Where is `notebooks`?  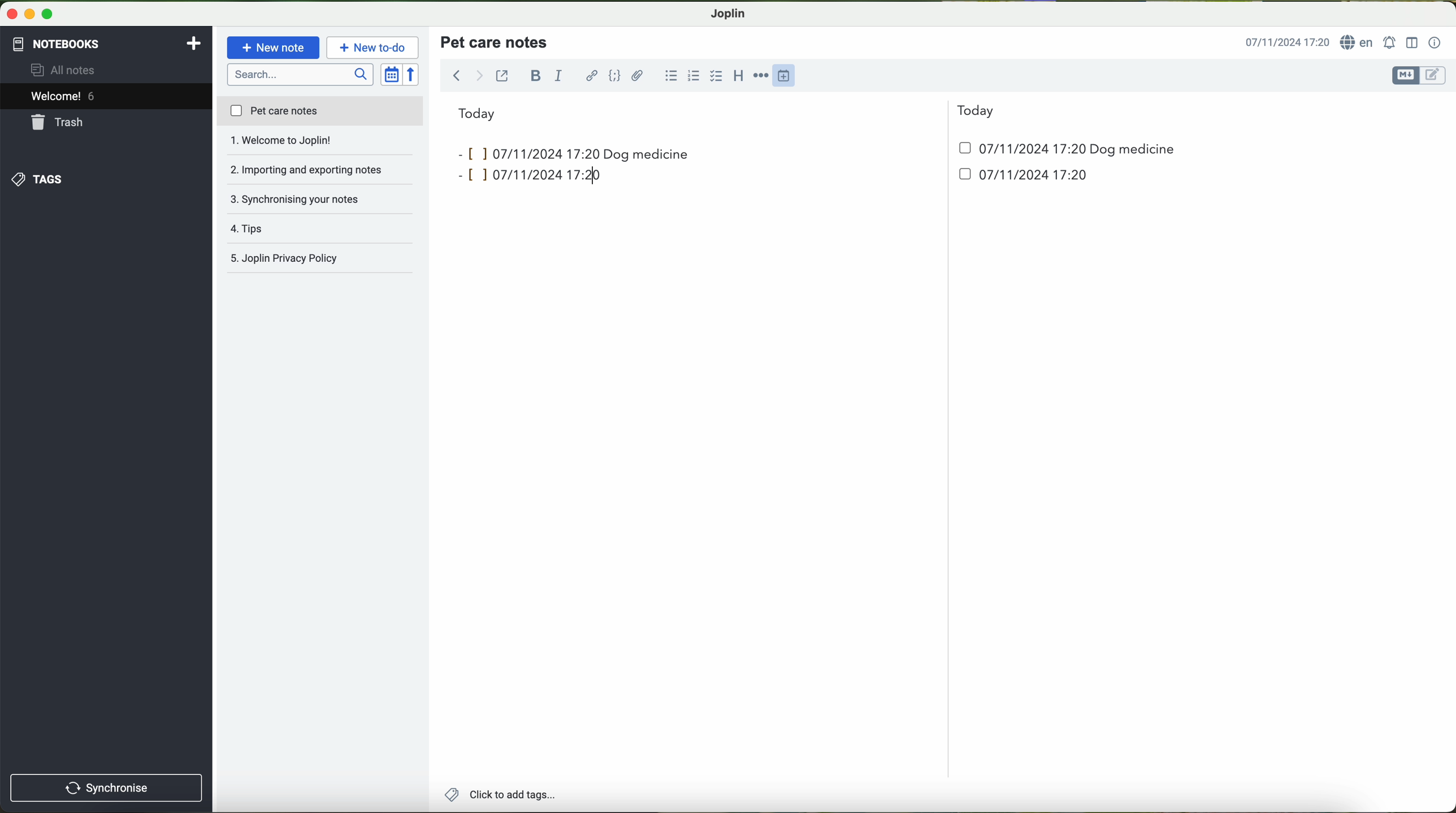
notebooks is located at coordinates (55, 42).